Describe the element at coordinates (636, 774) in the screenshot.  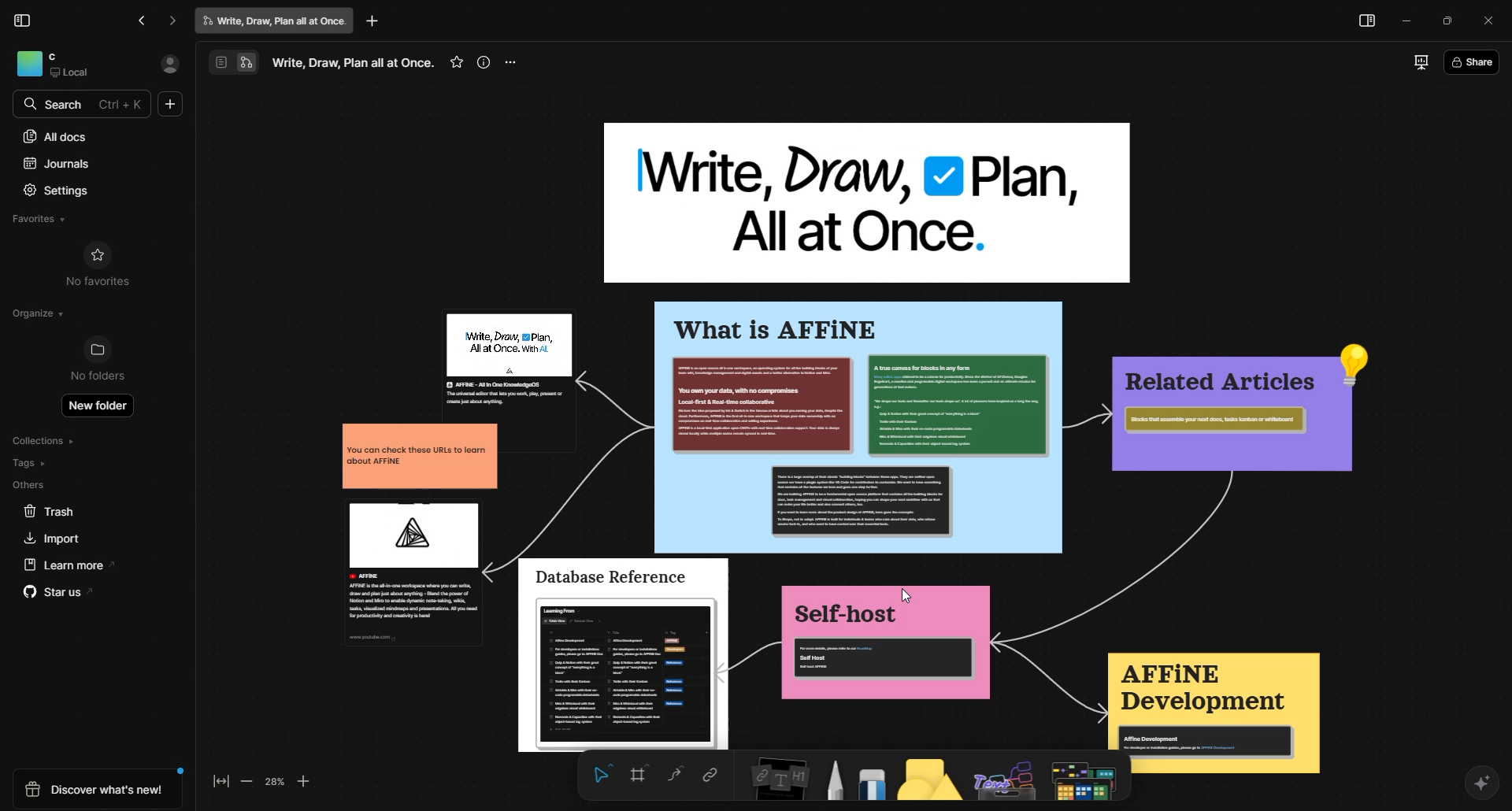
I see `grid` at that location.